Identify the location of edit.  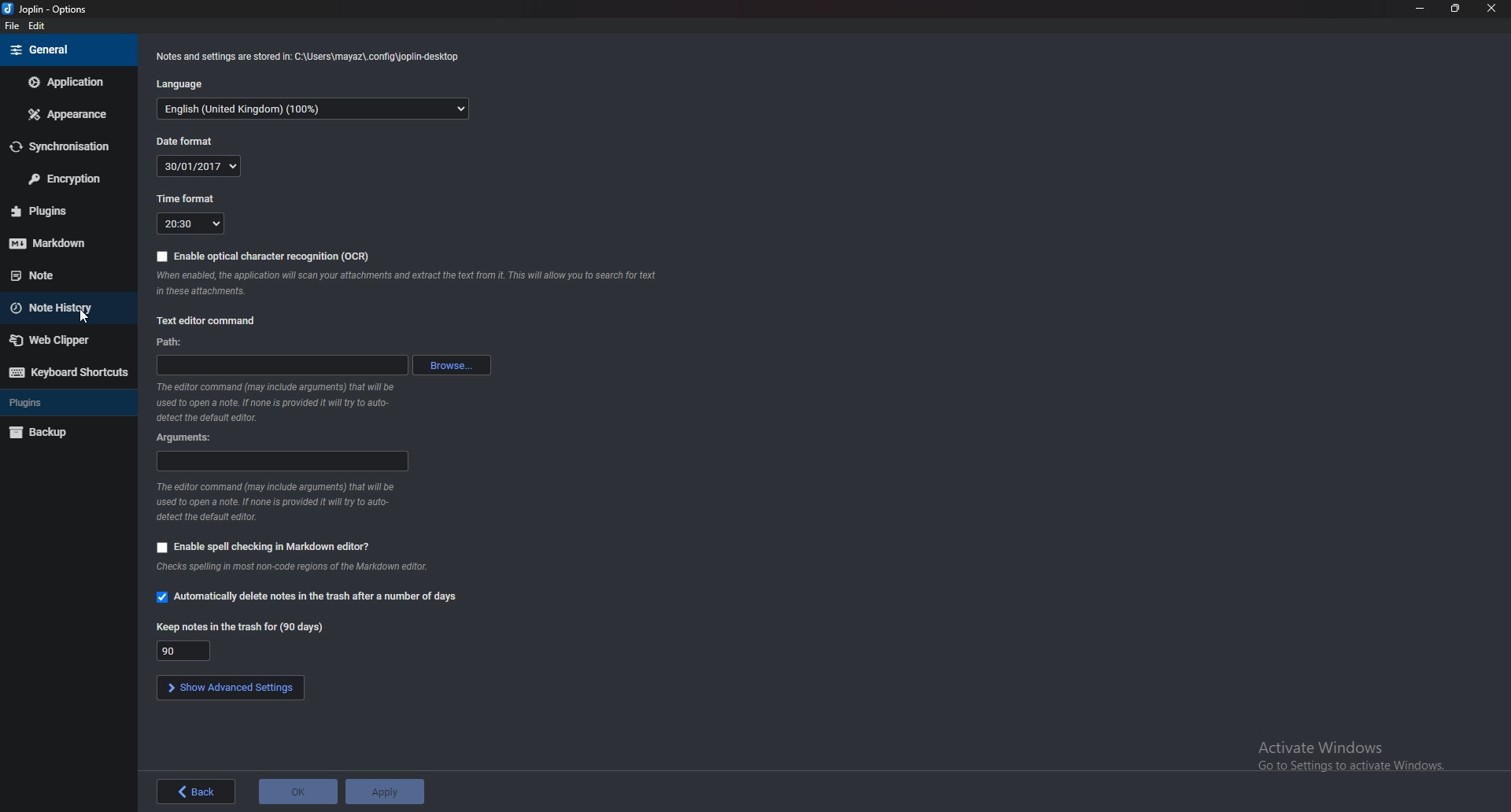
(39, 26).